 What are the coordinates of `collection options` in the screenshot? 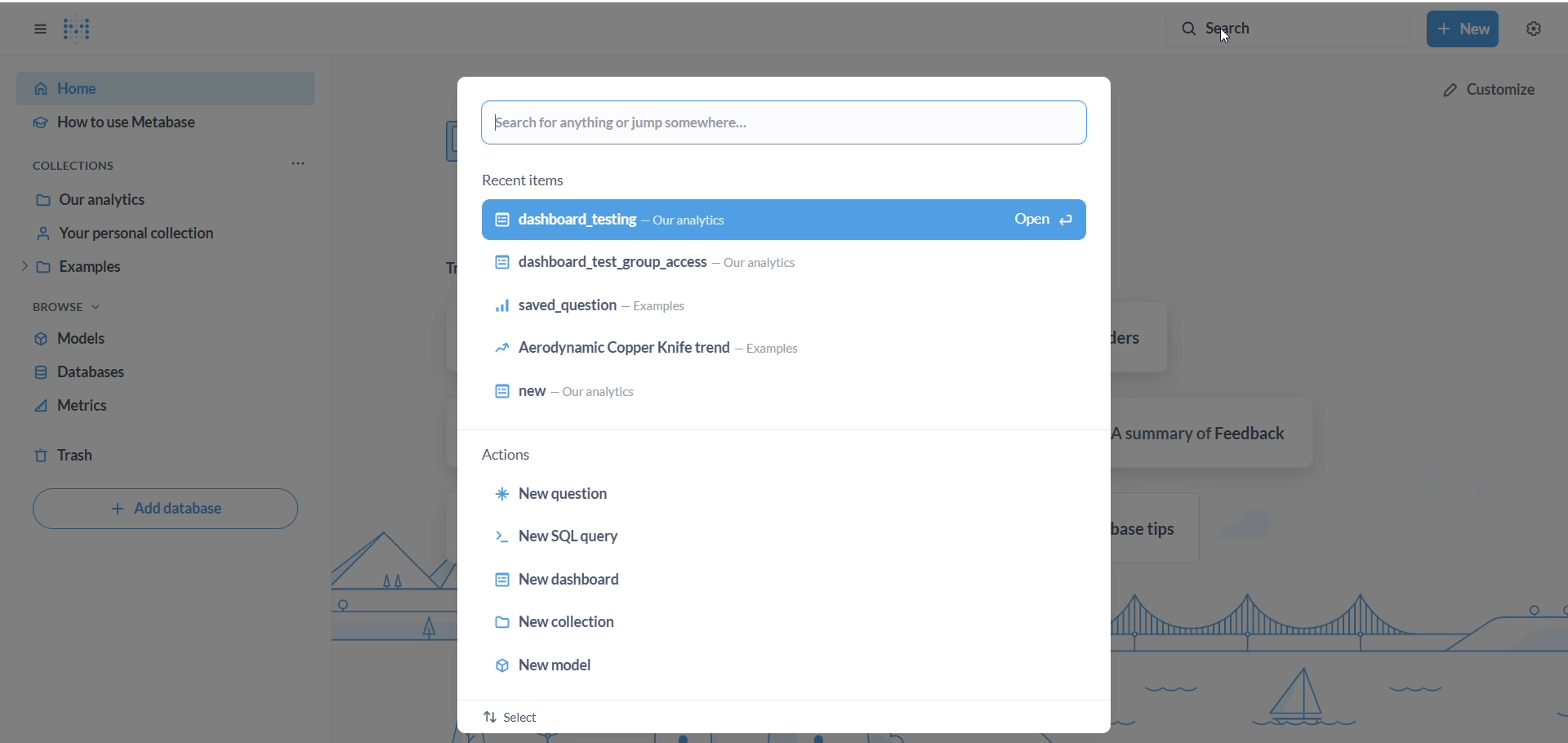 It's located at (301, 163).